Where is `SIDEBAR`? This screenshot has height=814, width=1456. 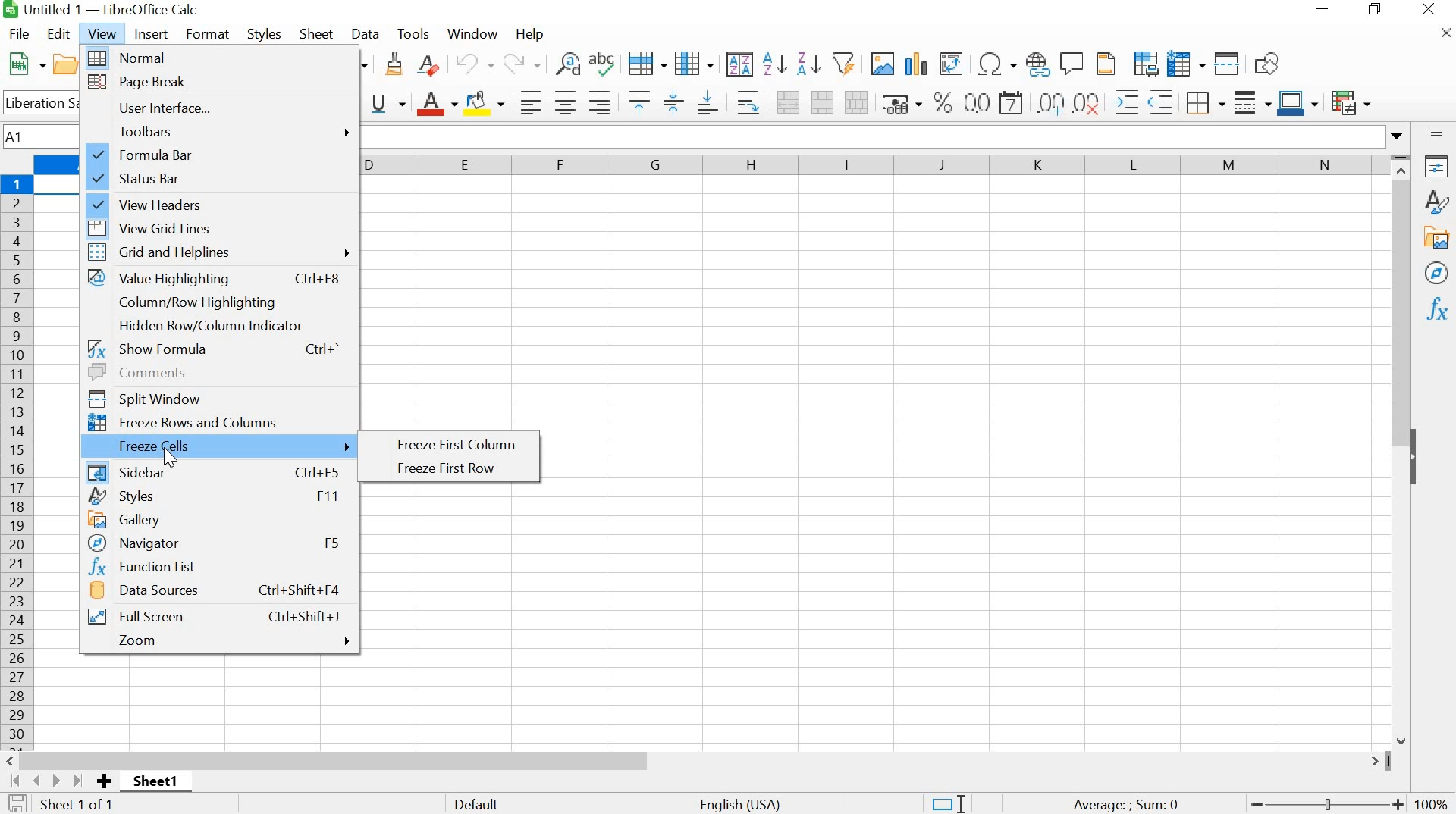 SIDEBAR is located at coordinates (214, 470).